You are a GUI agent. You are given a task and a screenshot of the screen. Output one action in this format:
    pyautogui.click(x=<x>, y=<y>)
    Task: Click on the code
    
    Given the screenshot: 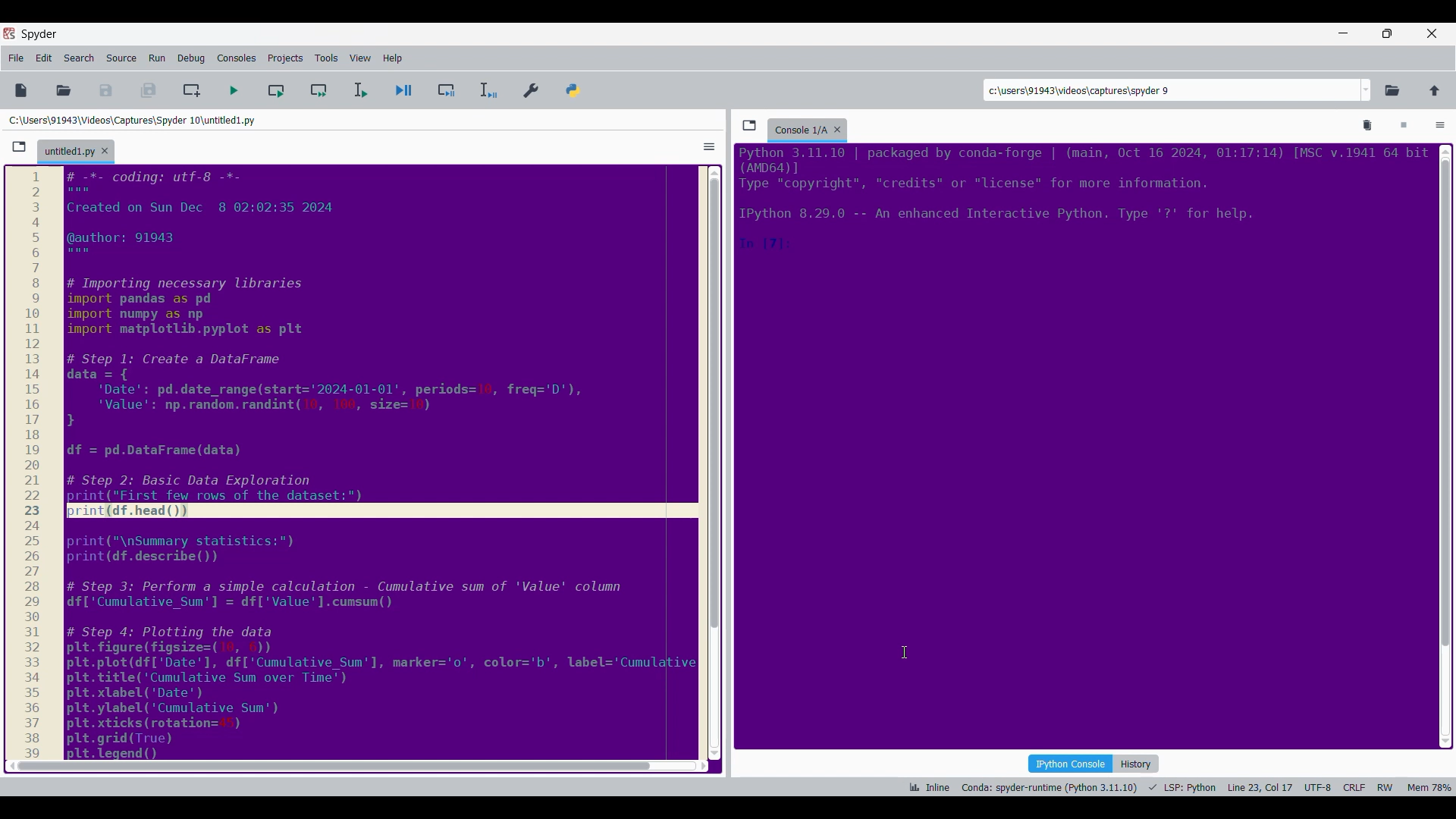 What is the action you would take?
    pyautogui.click(x=377, y=629)
    